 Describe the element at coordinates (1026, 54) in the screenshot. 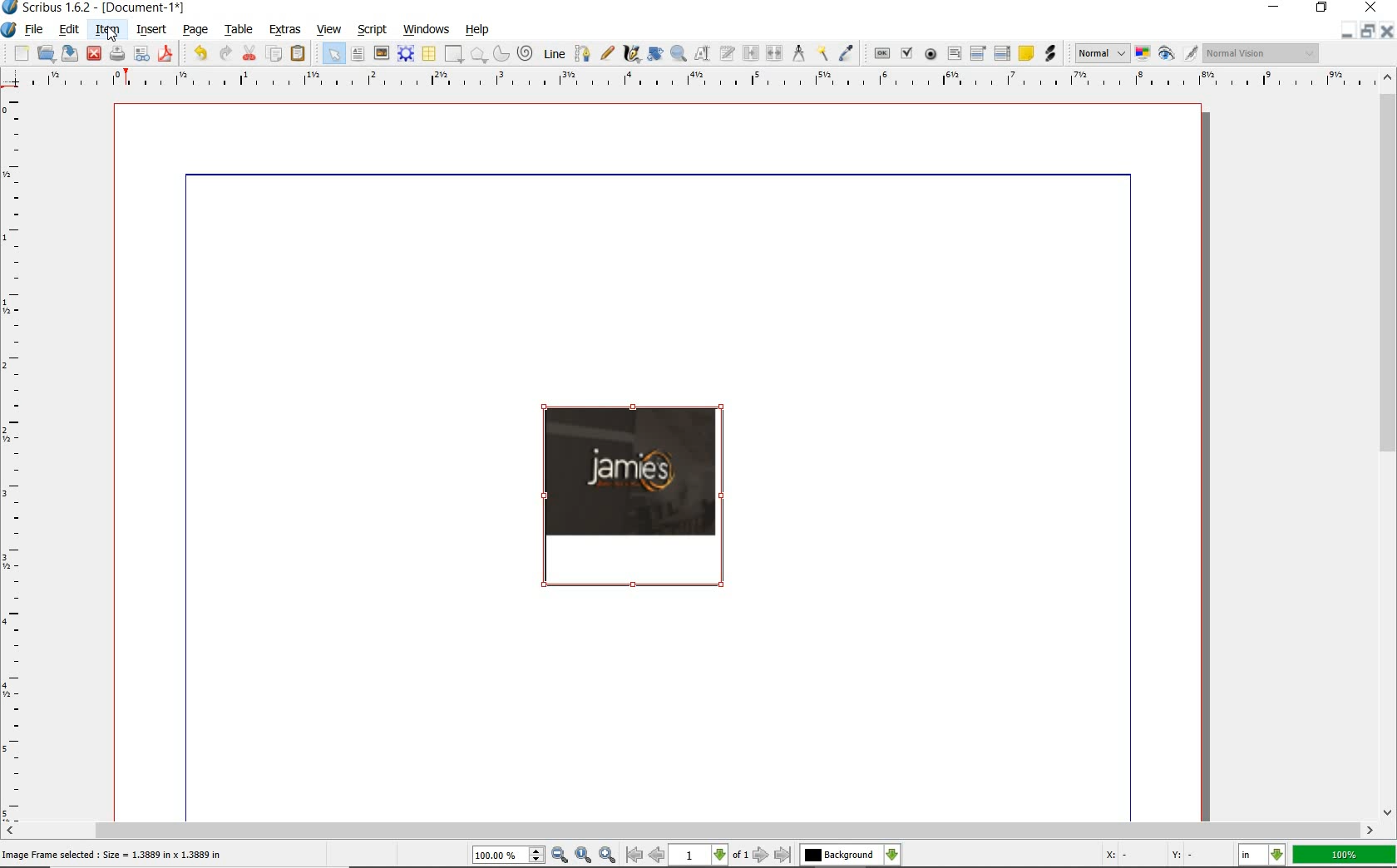

I see `text annotation` at that location.